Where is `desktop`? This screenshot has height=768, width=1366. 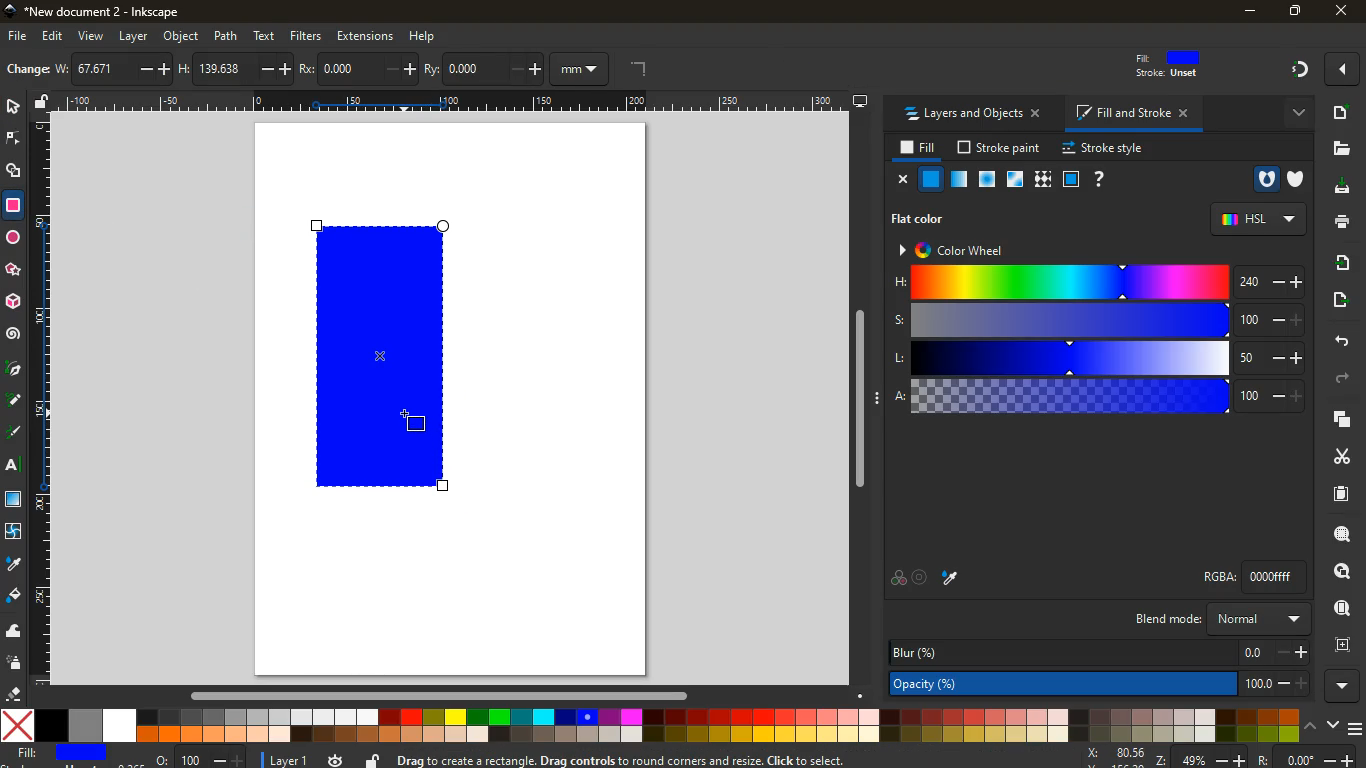 desktop is located at coordinates (1335, 189).